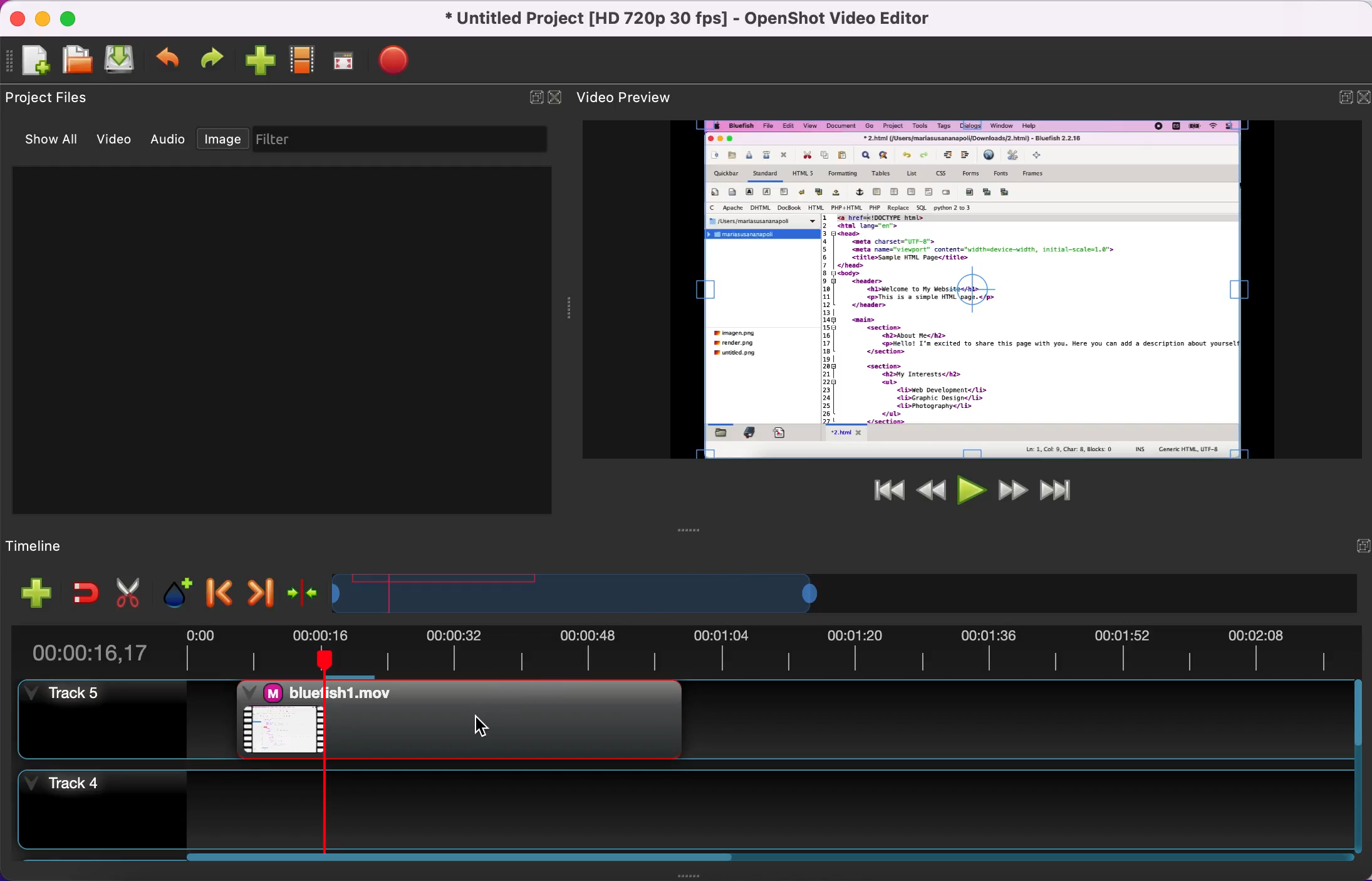 The image size is (1372, 881). What do you see at coordinates (80, 592) in the screenshot?
I see `enable snapping` at bounding box center [80, 592].